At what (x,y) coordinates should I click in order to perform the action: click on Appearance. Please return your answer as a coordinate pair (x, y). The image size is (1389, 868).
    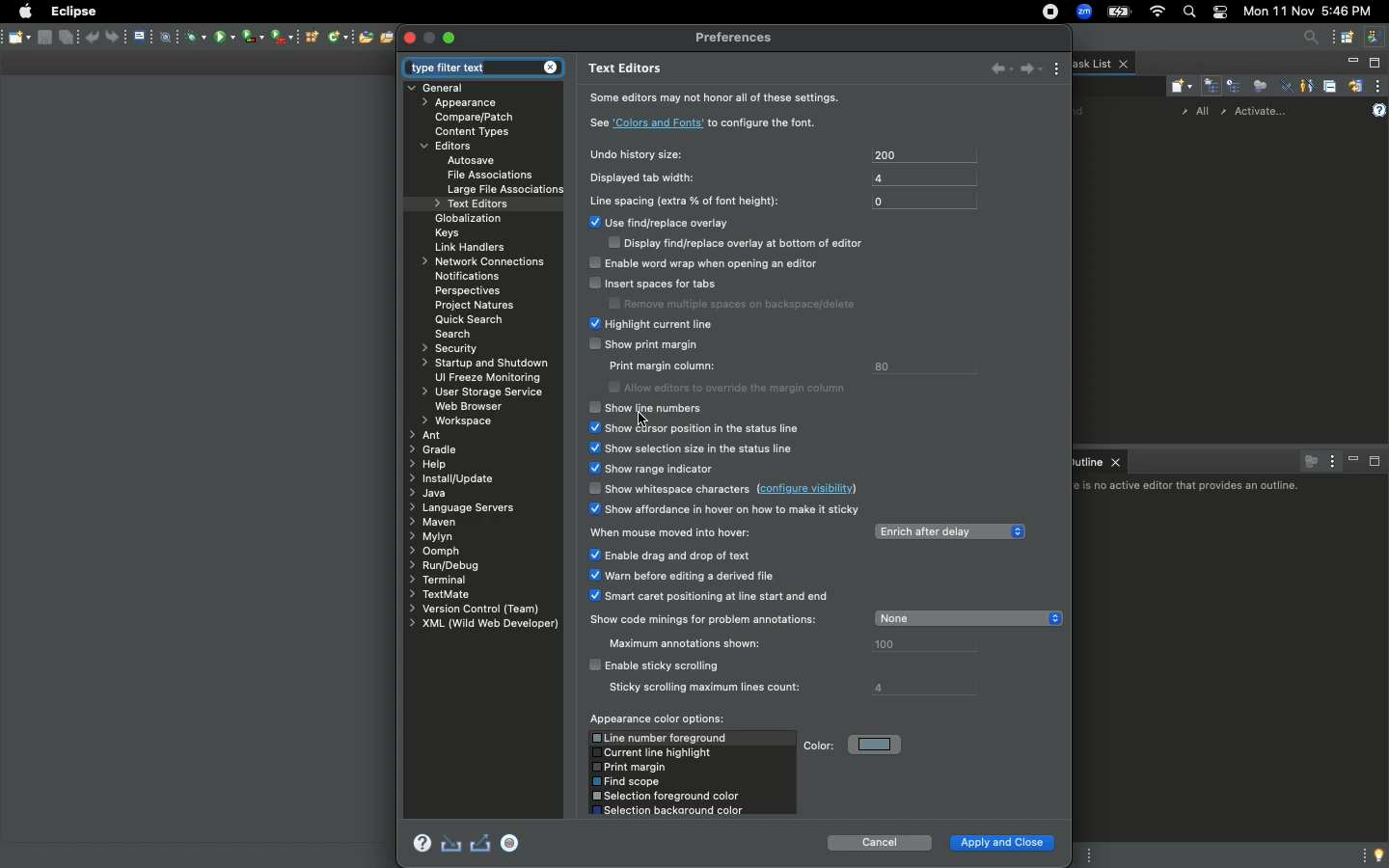
    Looking at the image, I should click on (465, 105).